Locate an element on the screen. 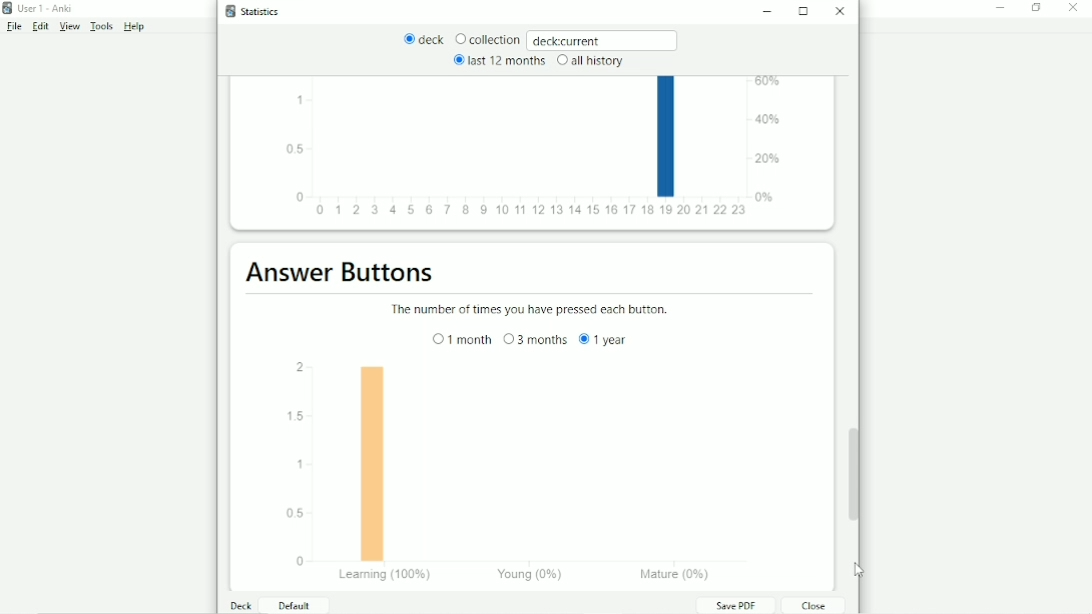  View is located at coordinates (70, 27).